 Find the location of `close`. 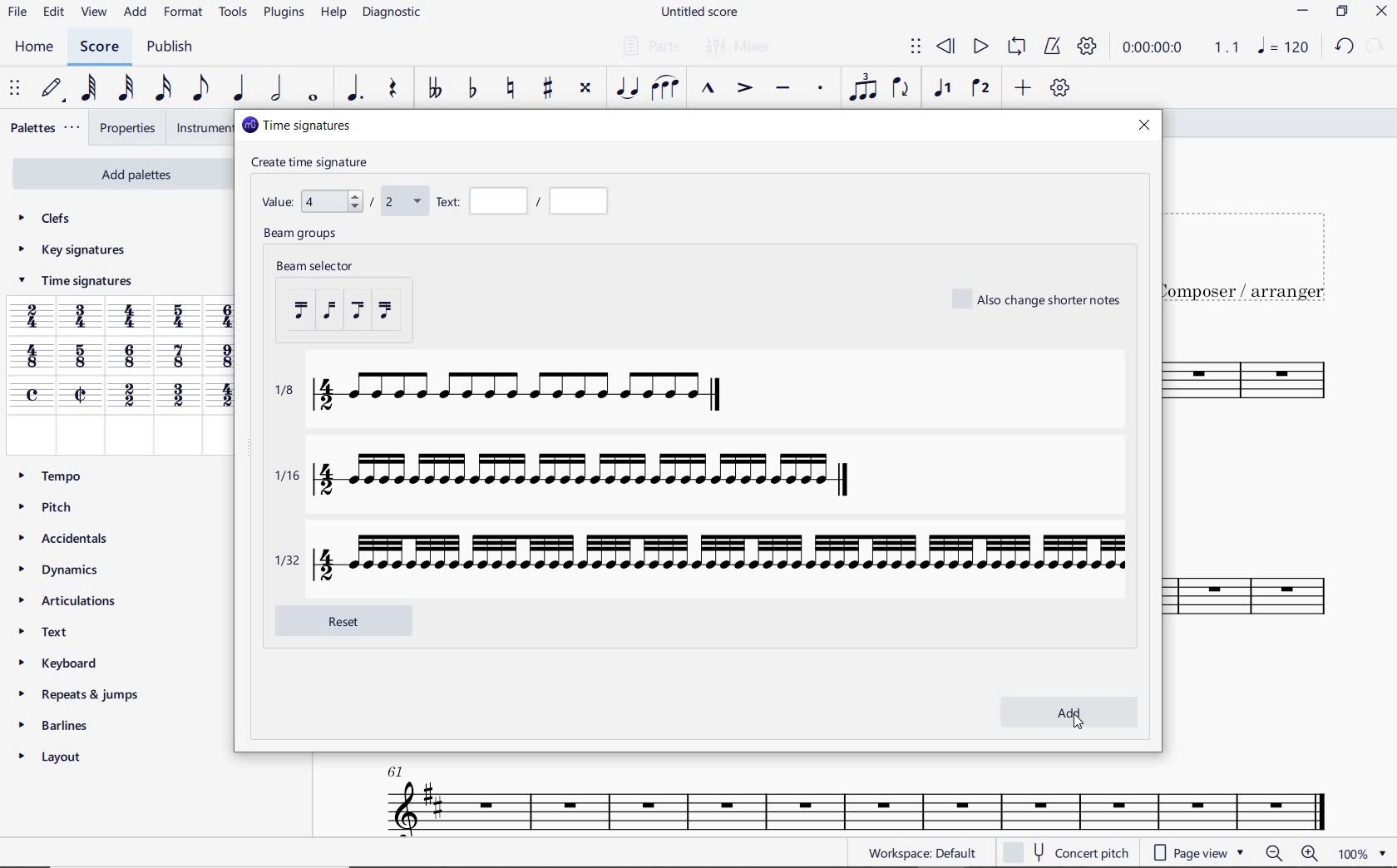

close is located at coordinates (1146, 128).